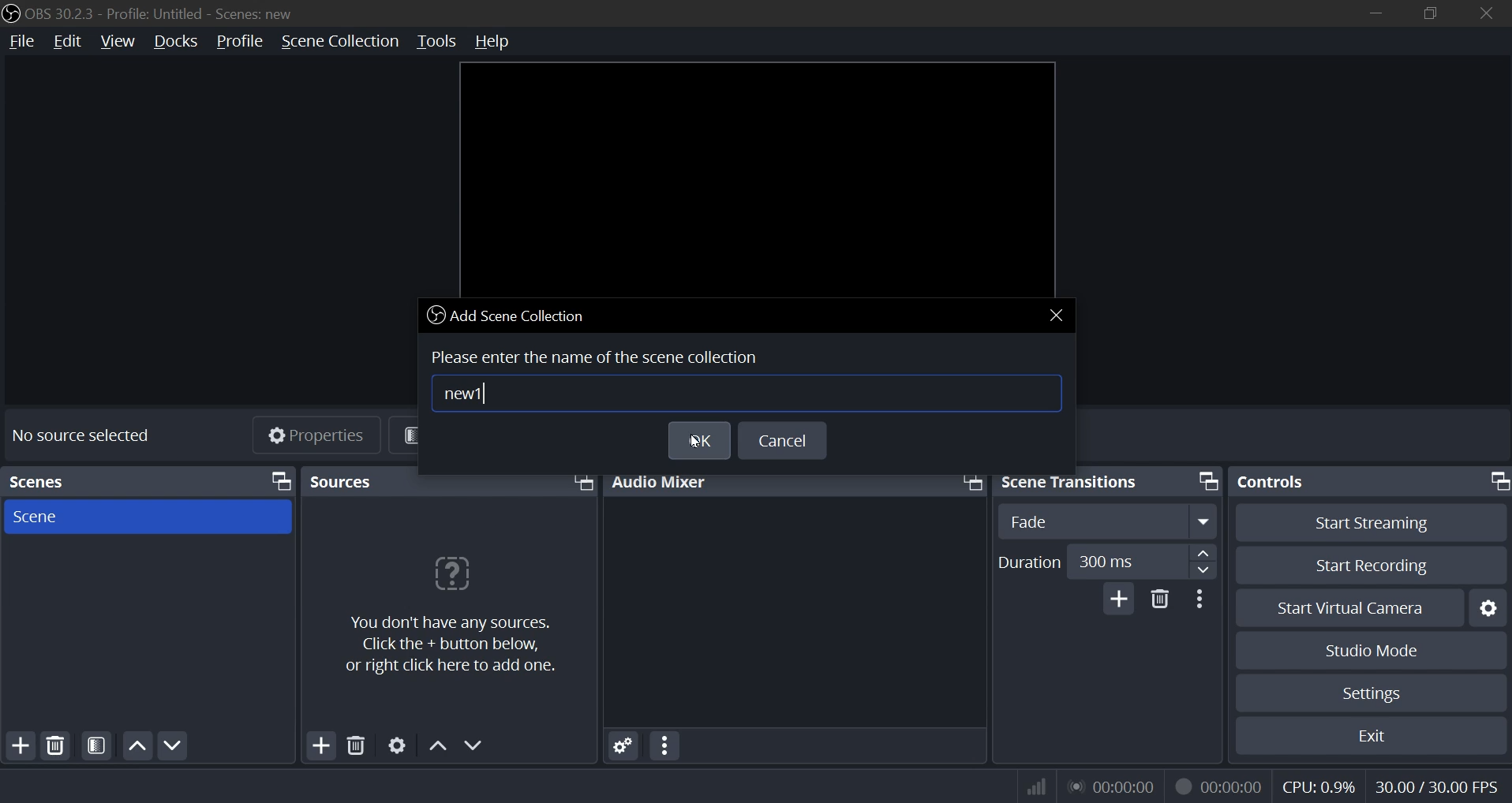  What do you see at coordinates (1076, 481) in the screenshot?
I see `scene transitions` at bounding box center [1076, 481].